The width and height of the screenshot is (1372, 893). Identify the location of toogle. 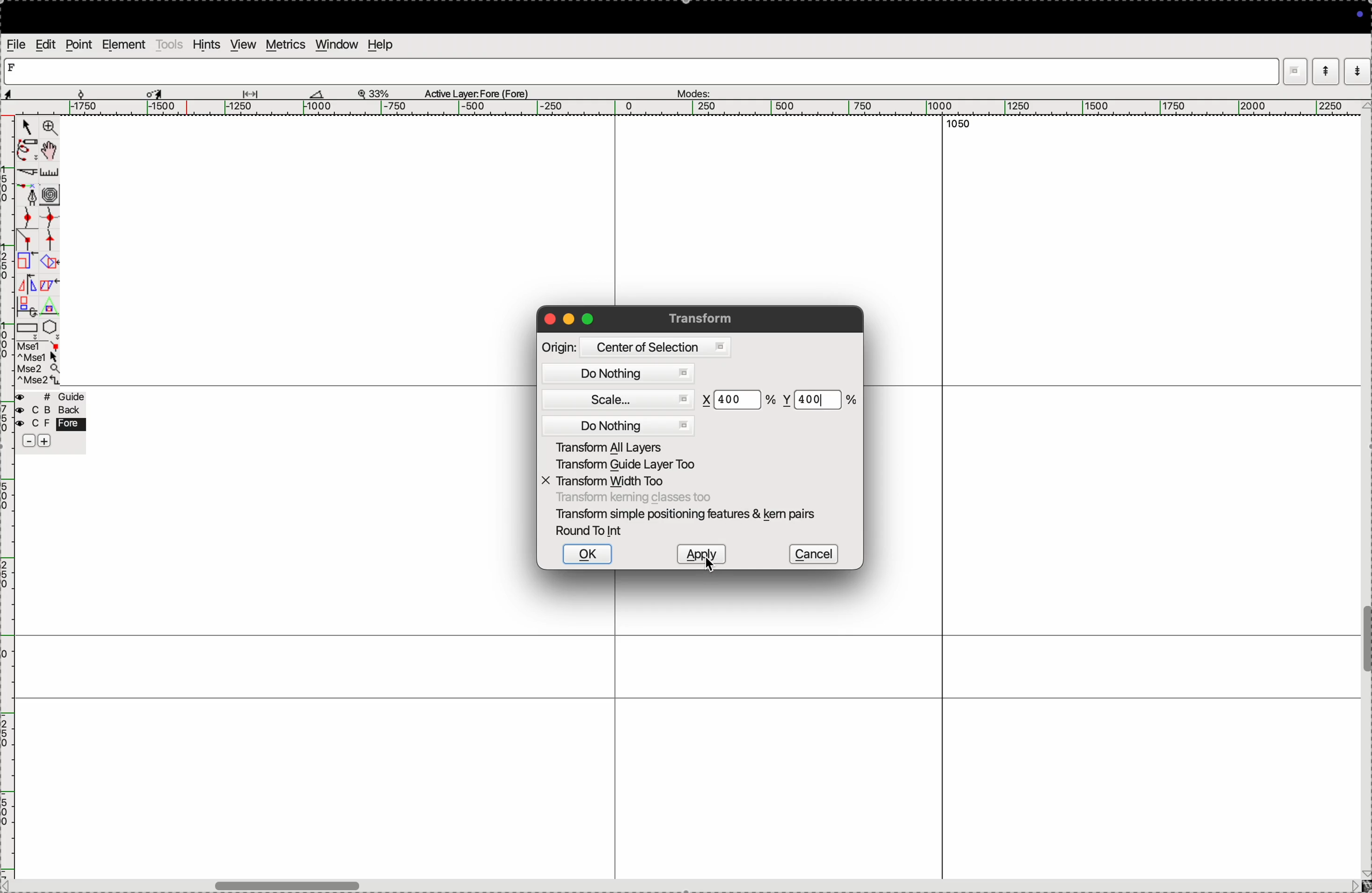
(311, 883).